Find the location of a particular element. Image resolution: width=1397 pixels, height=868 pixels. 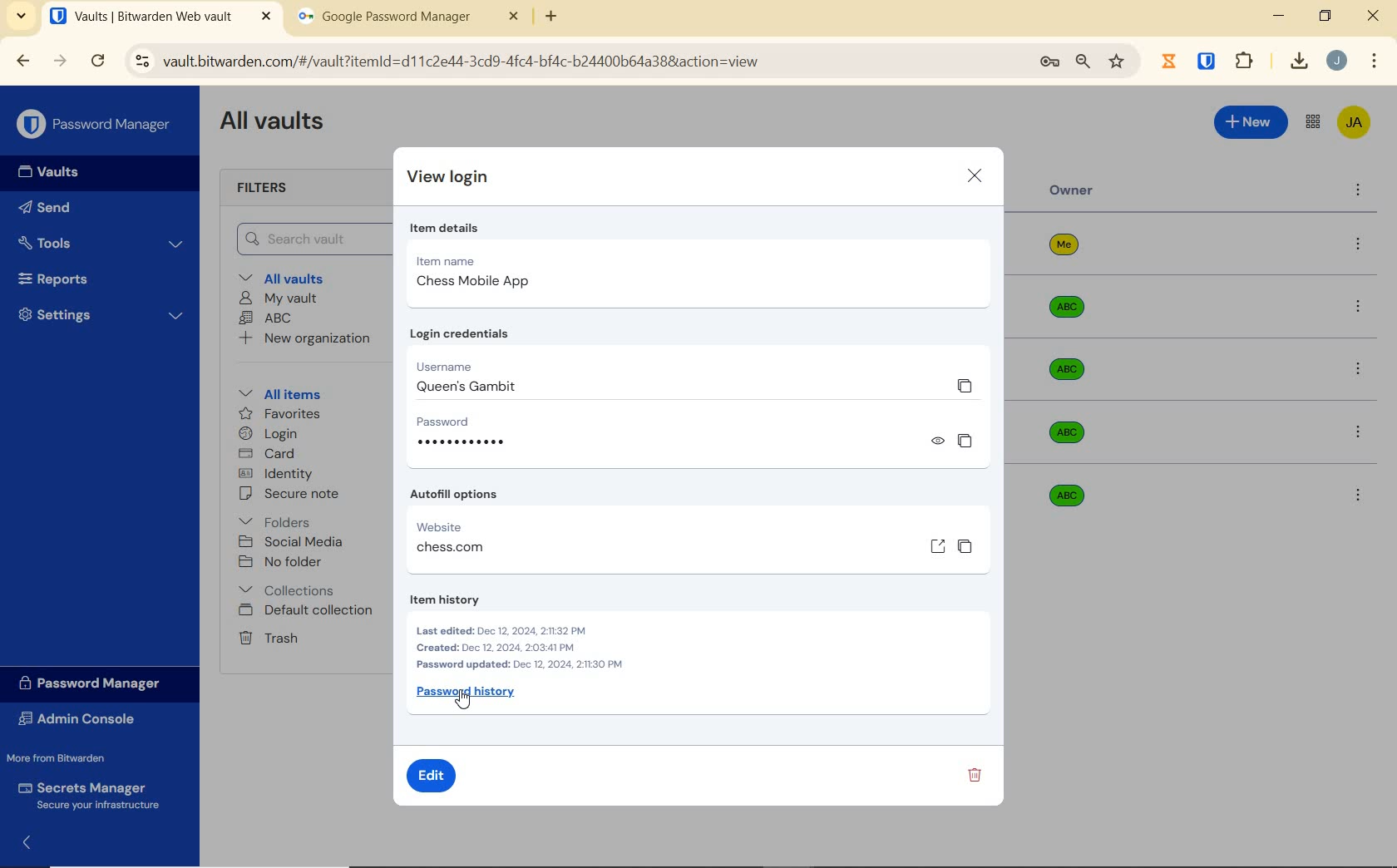

identity is located at coordinates (278, 474).